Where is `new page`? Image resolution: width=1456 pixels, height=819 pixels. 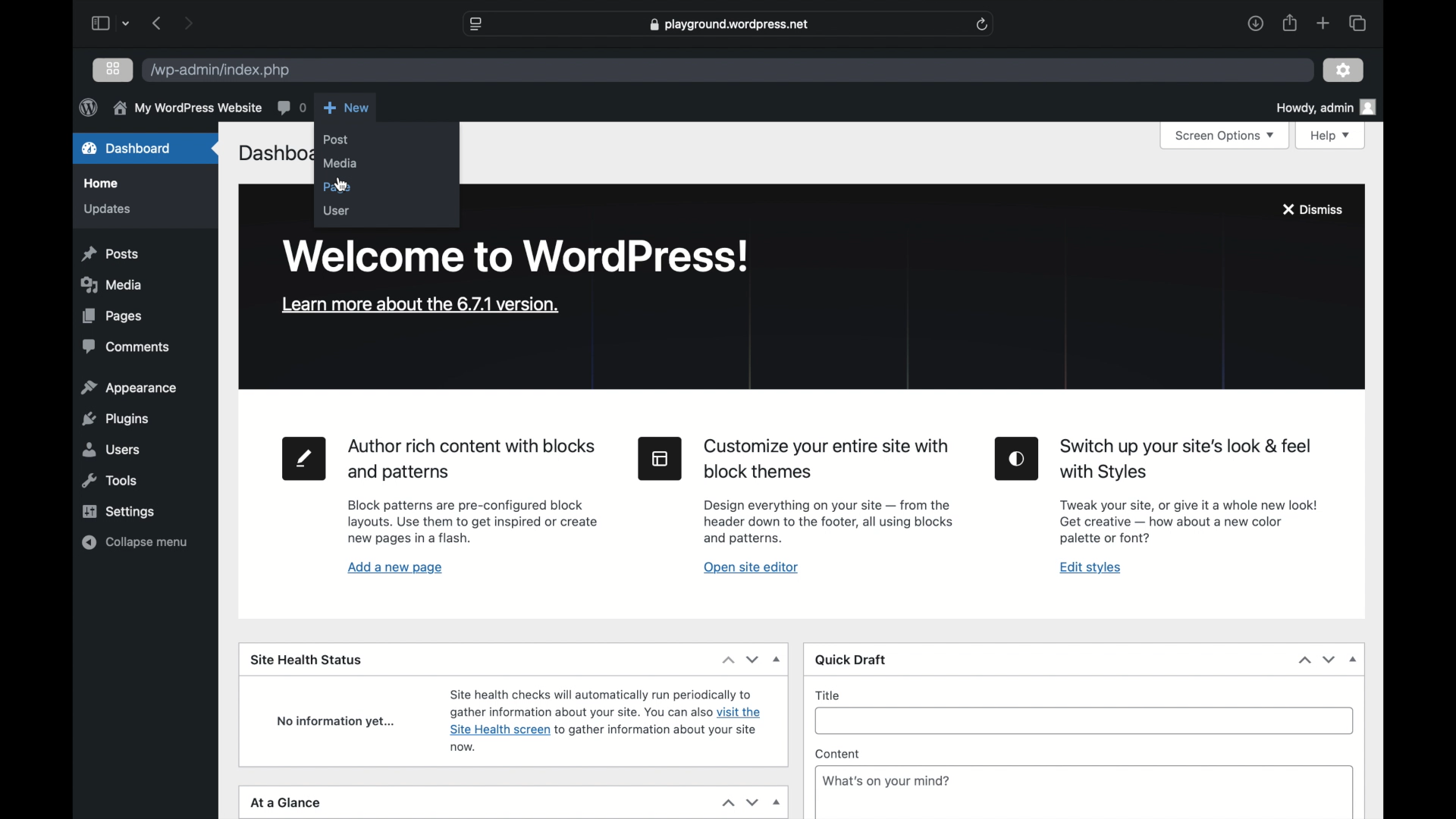
new page is located at coordinates (306, 459).